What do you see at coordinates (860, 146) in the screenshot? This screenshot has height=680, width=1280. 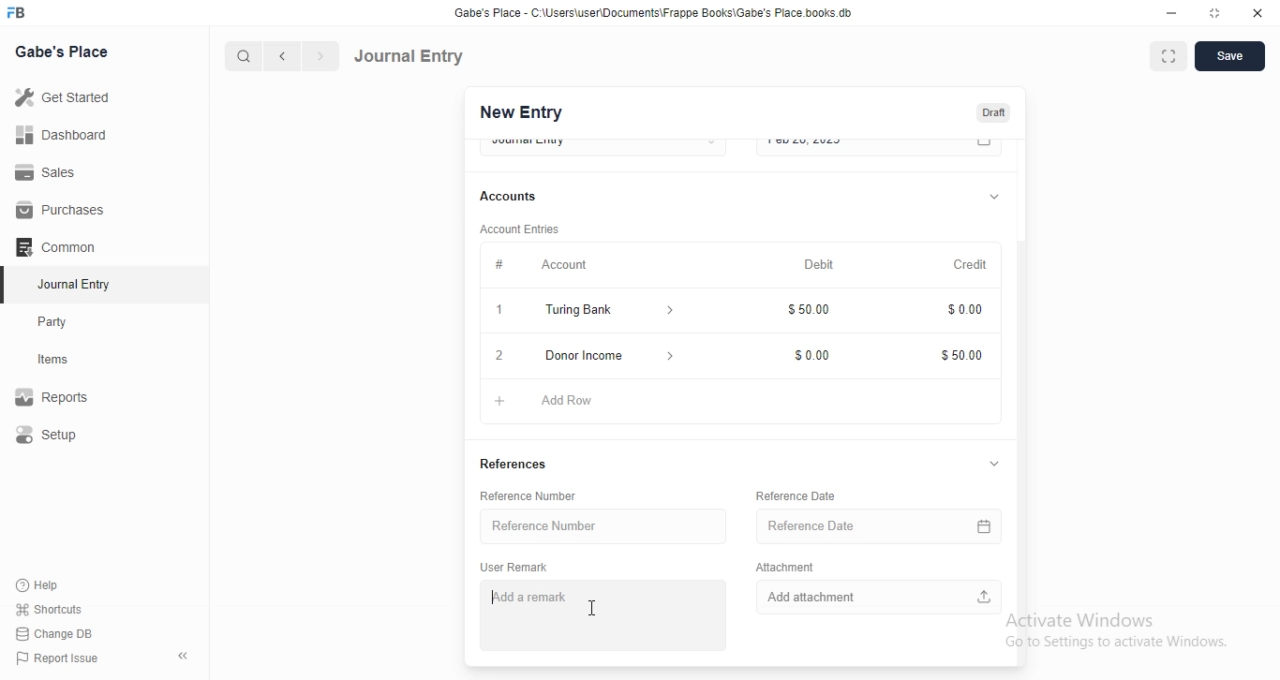 I see `Feb 28, 2025` at bounding box center [860, 146].